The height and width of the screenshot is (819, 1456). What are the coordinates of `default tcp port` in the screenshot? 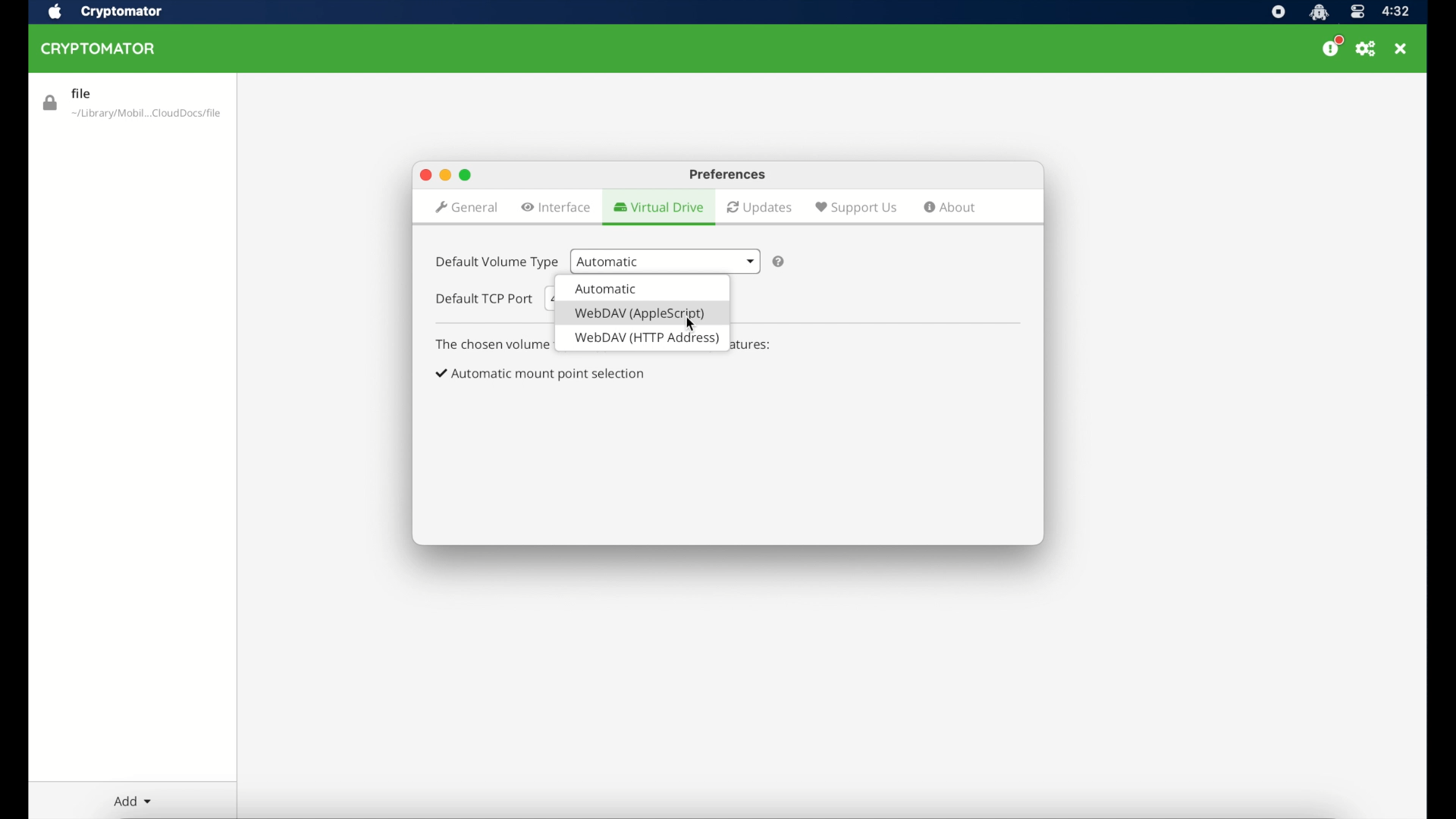 It's located at (485, 299).